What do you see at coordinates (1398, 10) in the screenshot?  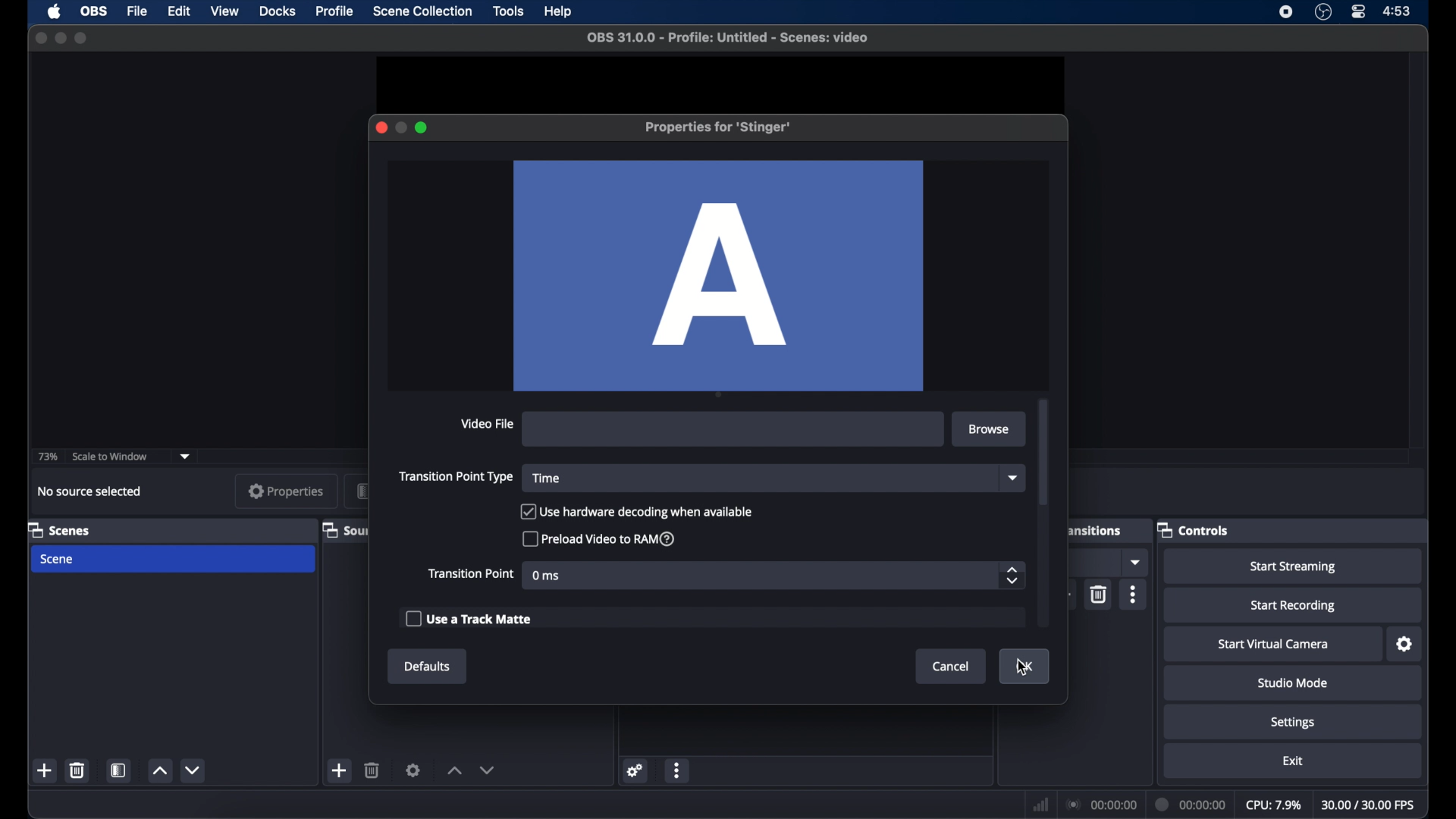 I see `time` at bounding box center [1398, 10].